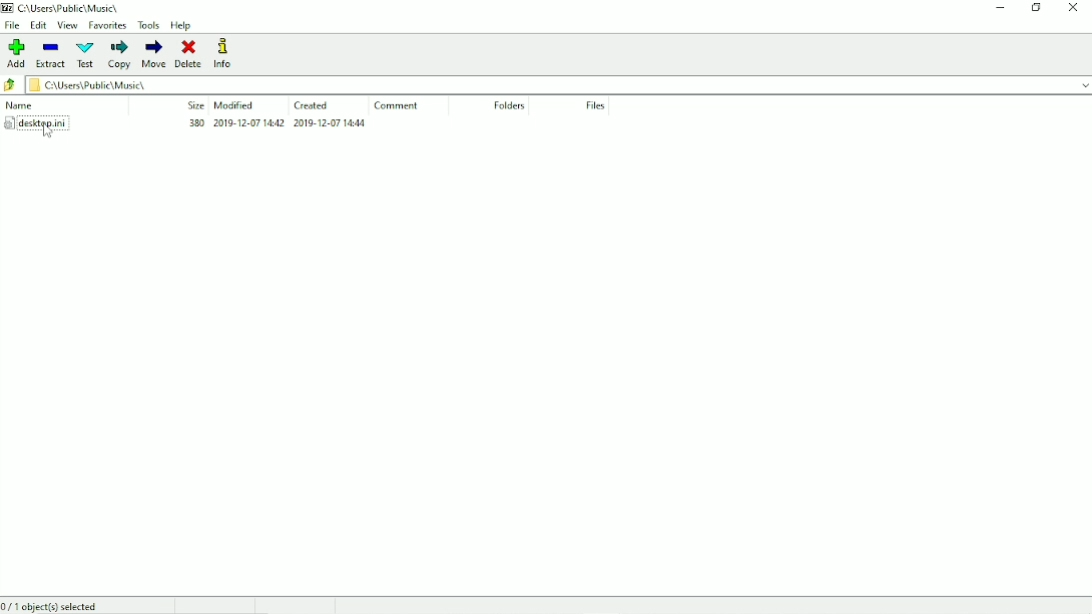  Describe the element at coordinates (231, 53) in the screenshot. I see `Info` at that location.